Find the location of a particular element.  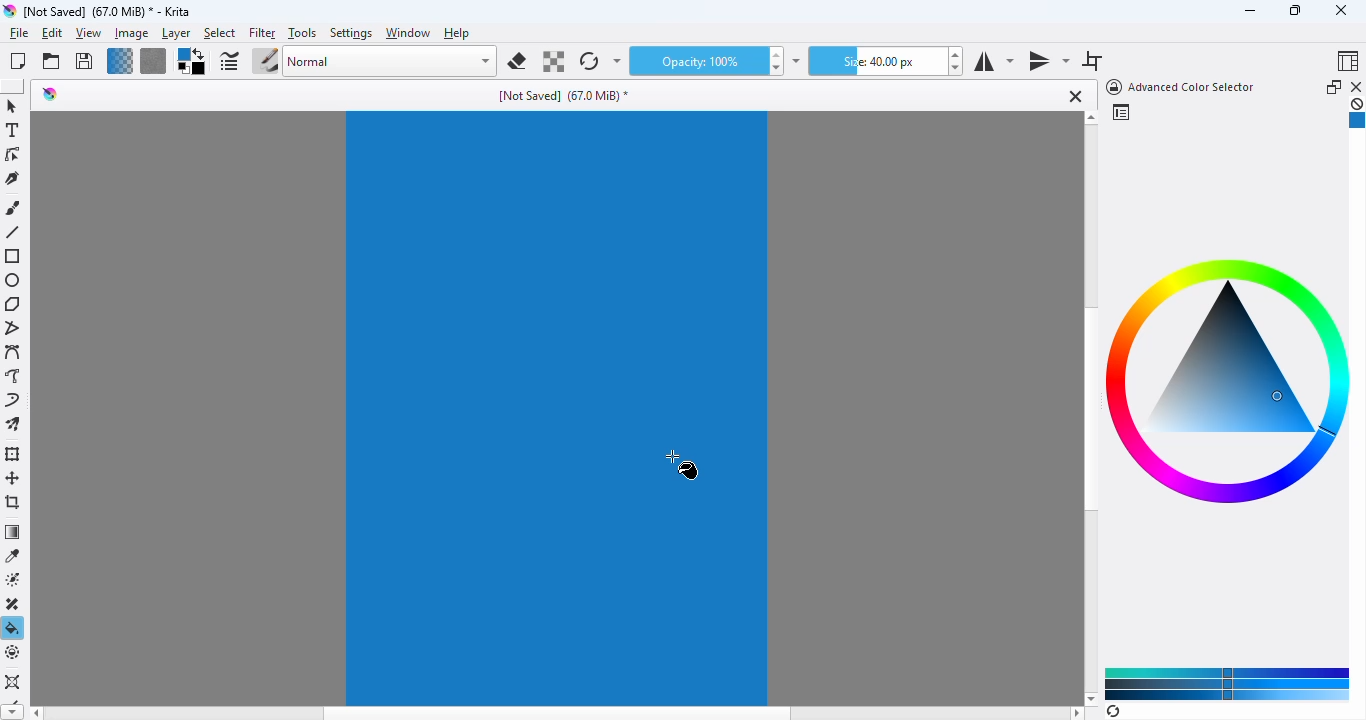

line tool is located at coordinates (12, 232).